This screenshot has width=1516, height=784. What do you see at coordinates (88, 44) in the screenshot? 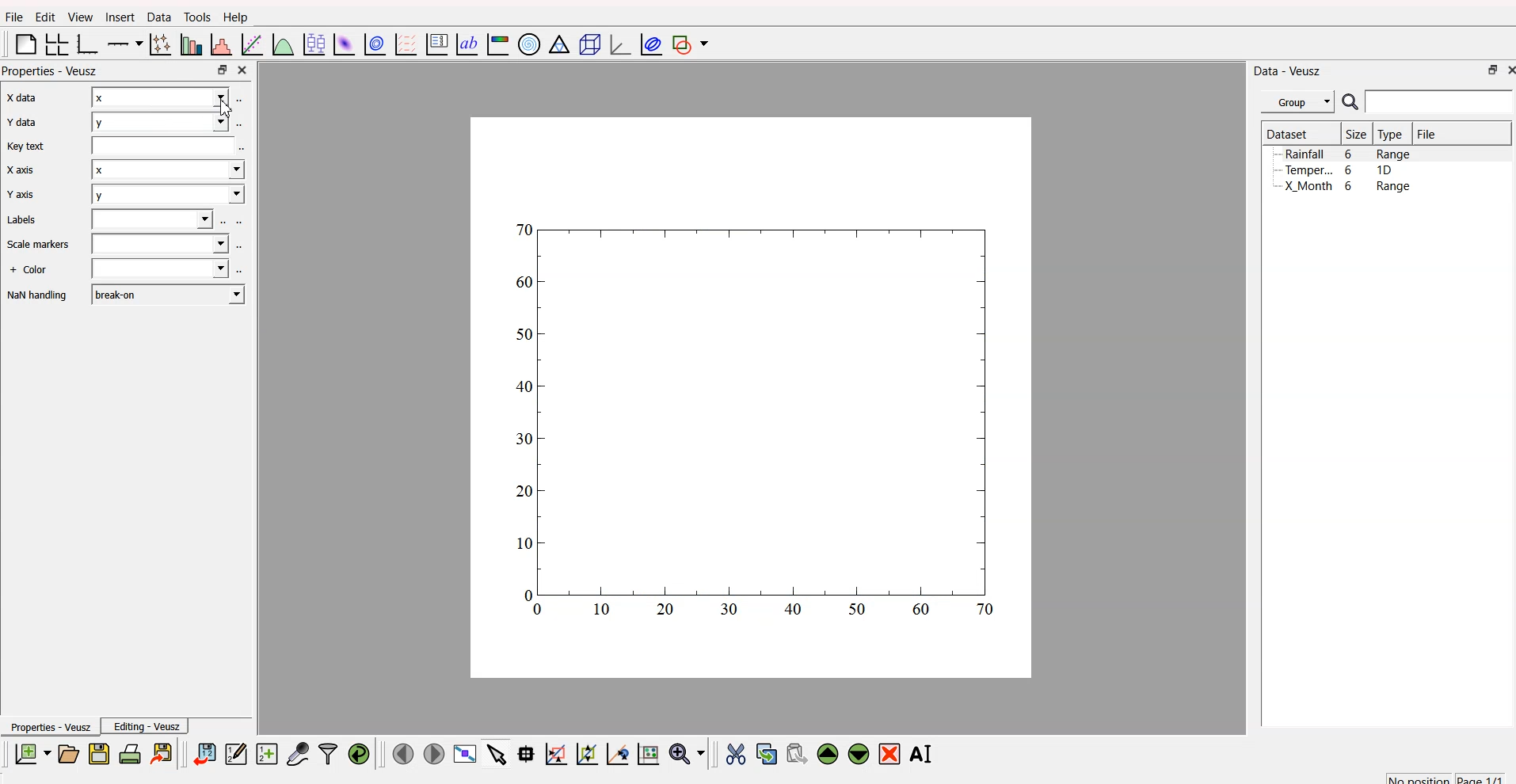
I see `base graph` at bounding box center [88, 44].